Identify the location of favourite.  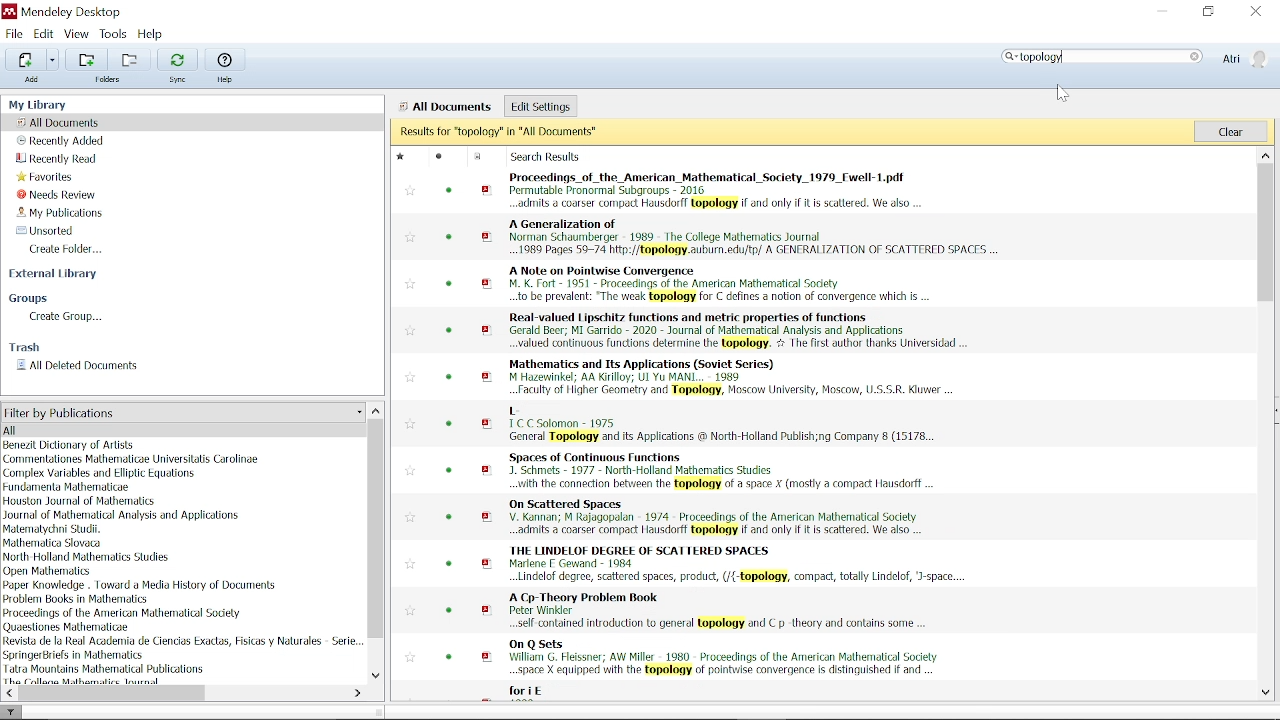
(412, 332).